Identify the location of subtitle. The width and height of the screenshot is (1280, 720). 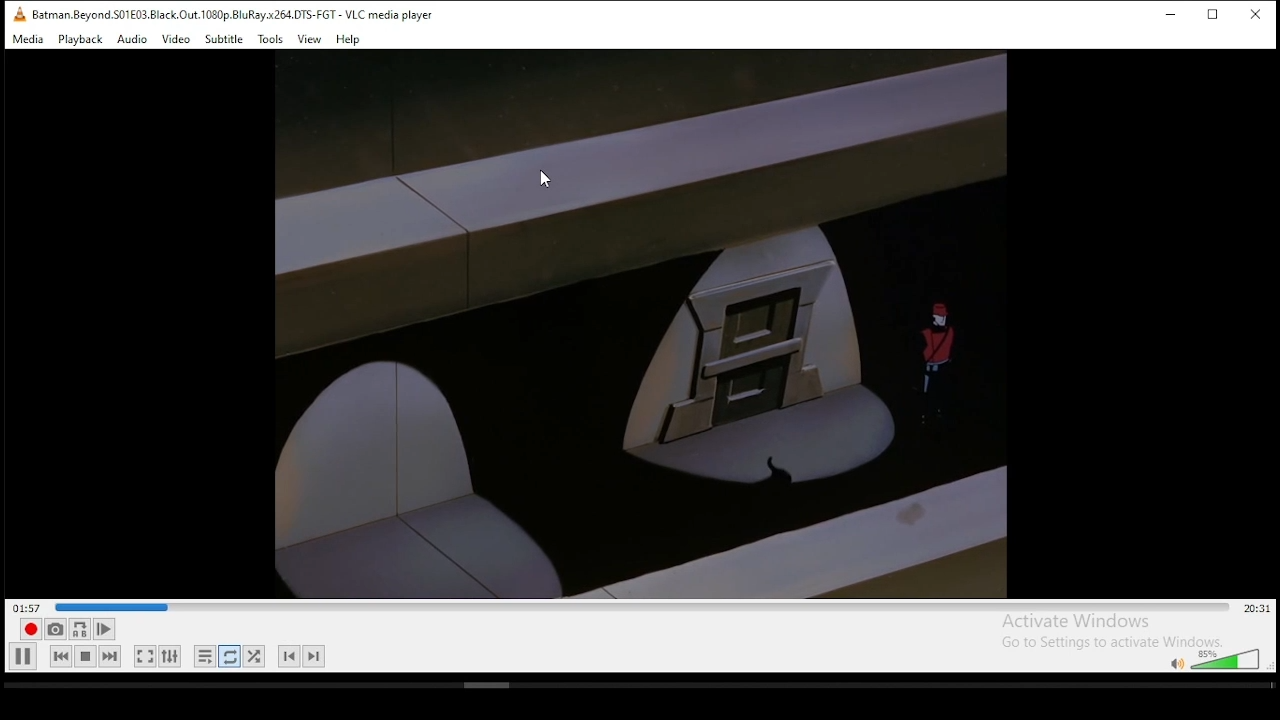
(224, 39).